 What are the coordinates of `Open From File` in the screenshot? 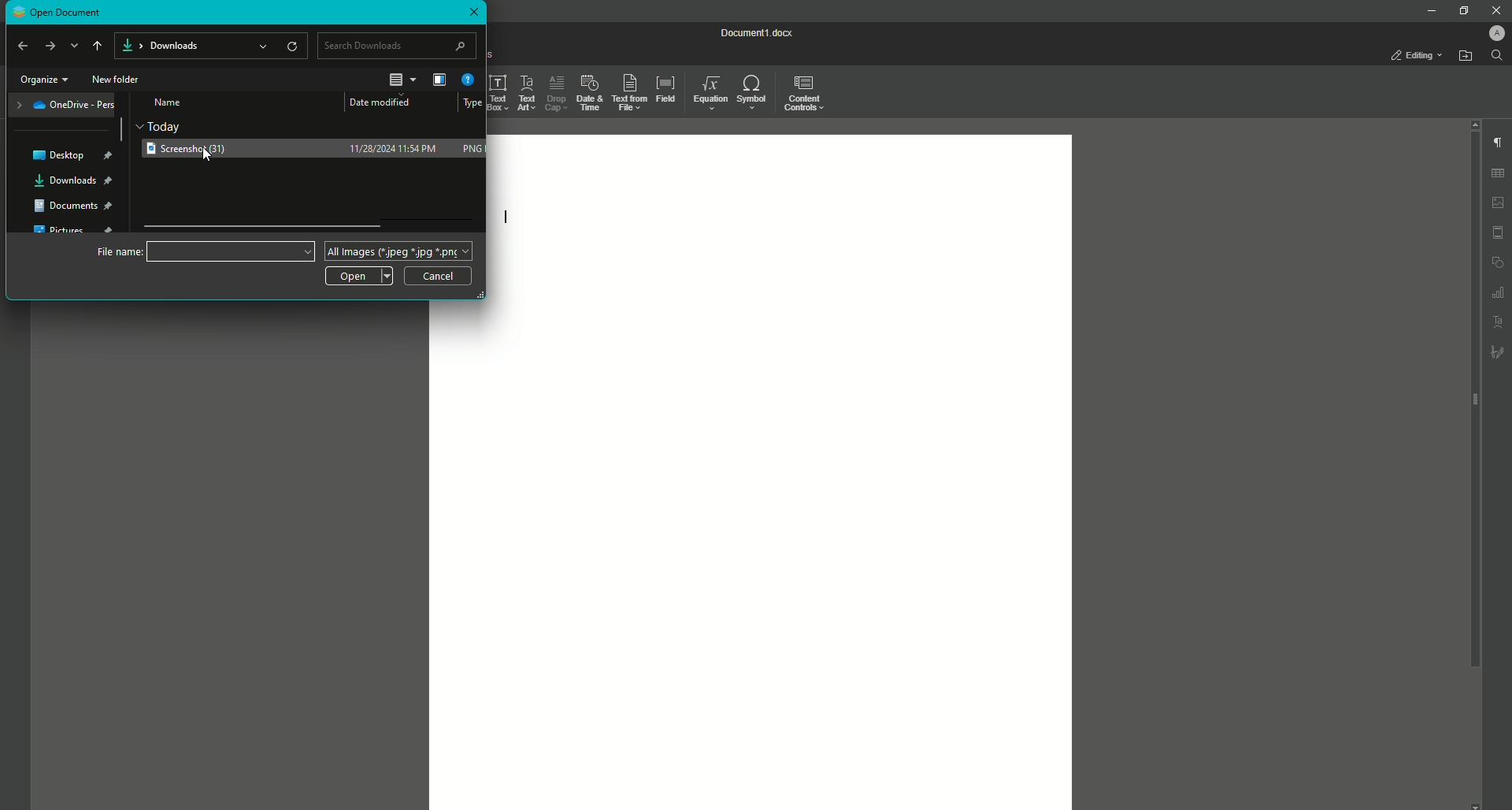 It's located at (1465, 54).